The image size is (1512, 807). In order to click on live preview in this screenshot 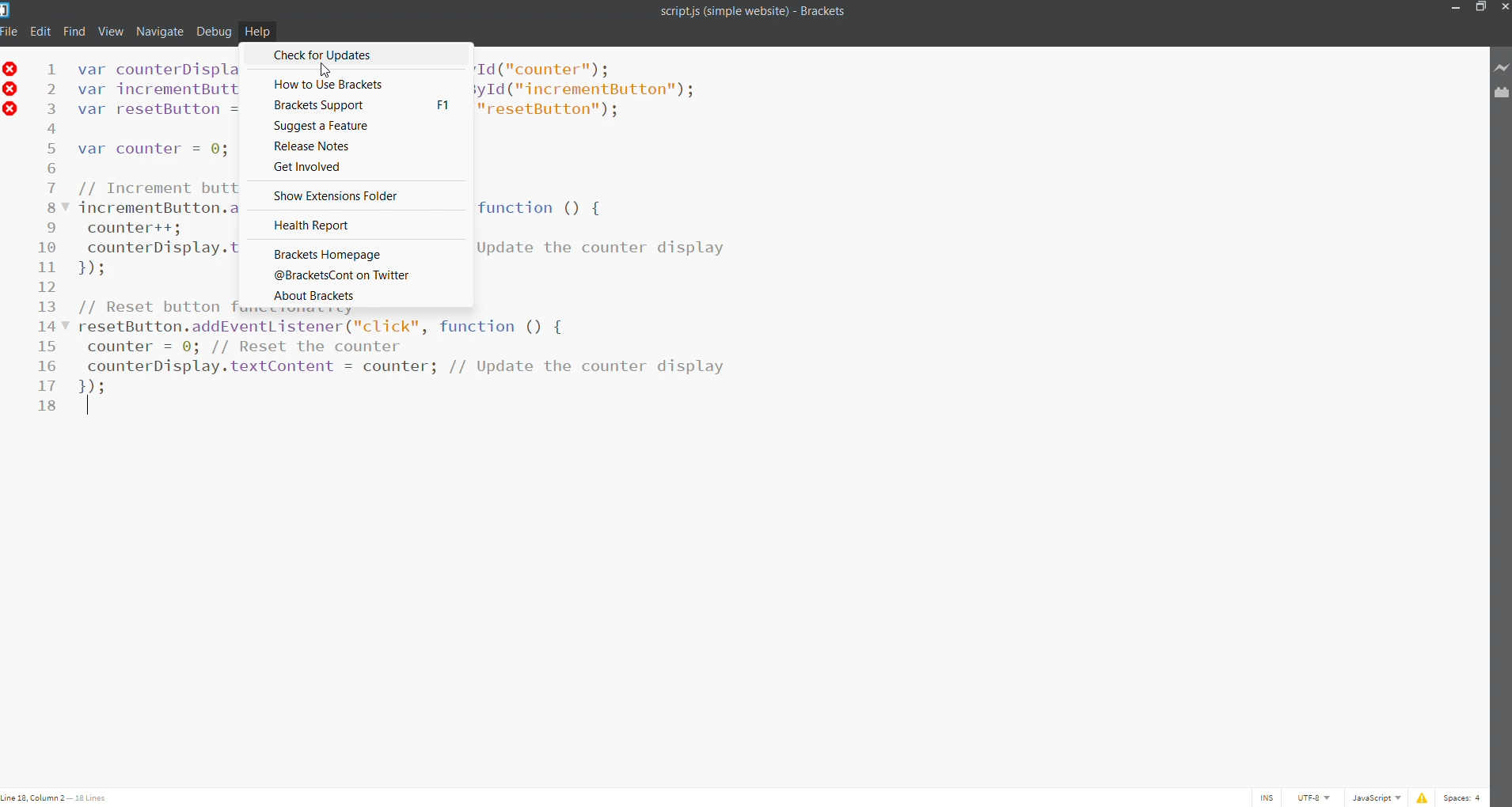, I will do `click(1503, 66)`.